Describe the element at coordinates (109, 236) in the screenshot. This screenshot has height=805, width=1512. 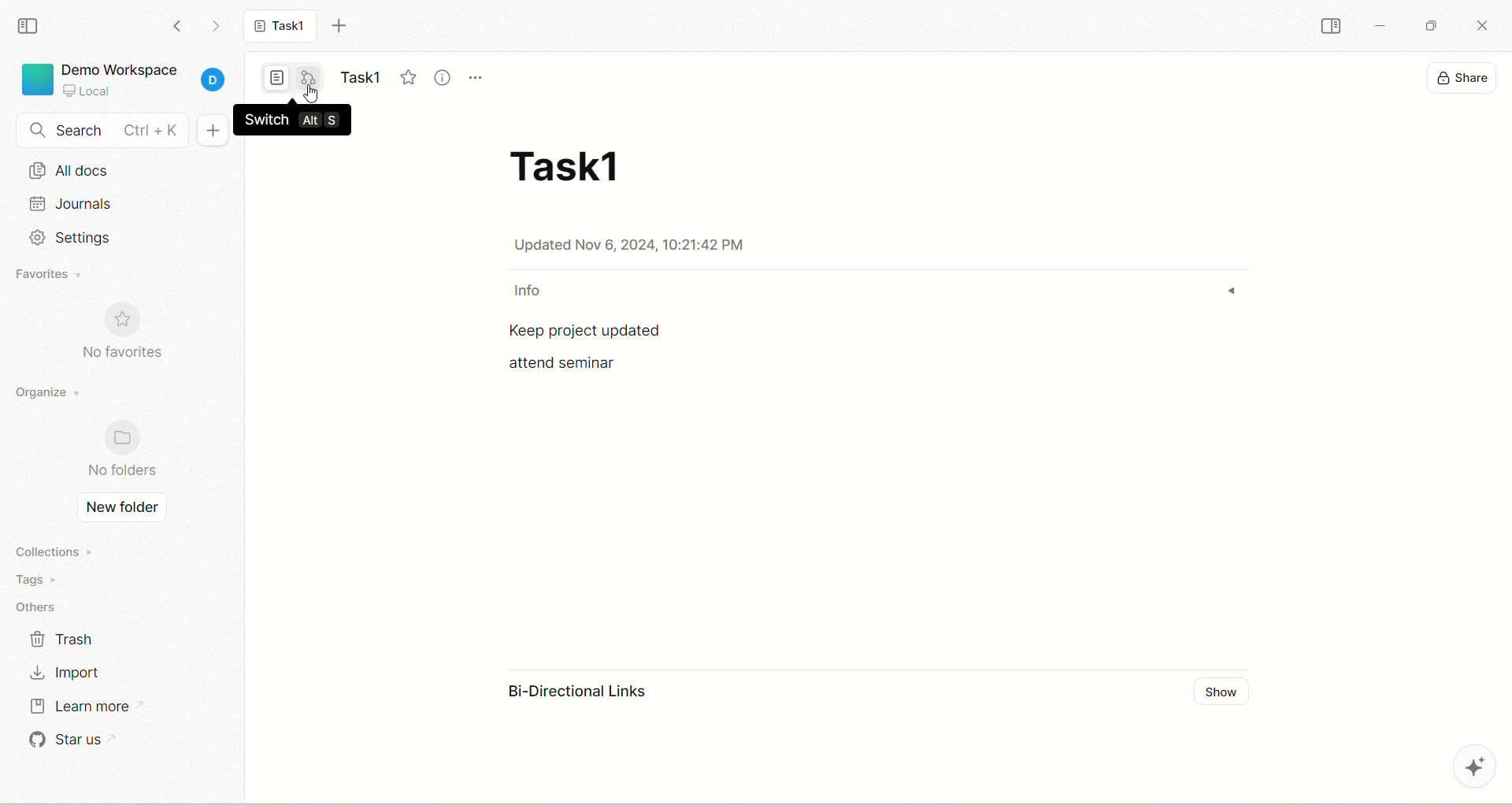
I see `settings` at that location.